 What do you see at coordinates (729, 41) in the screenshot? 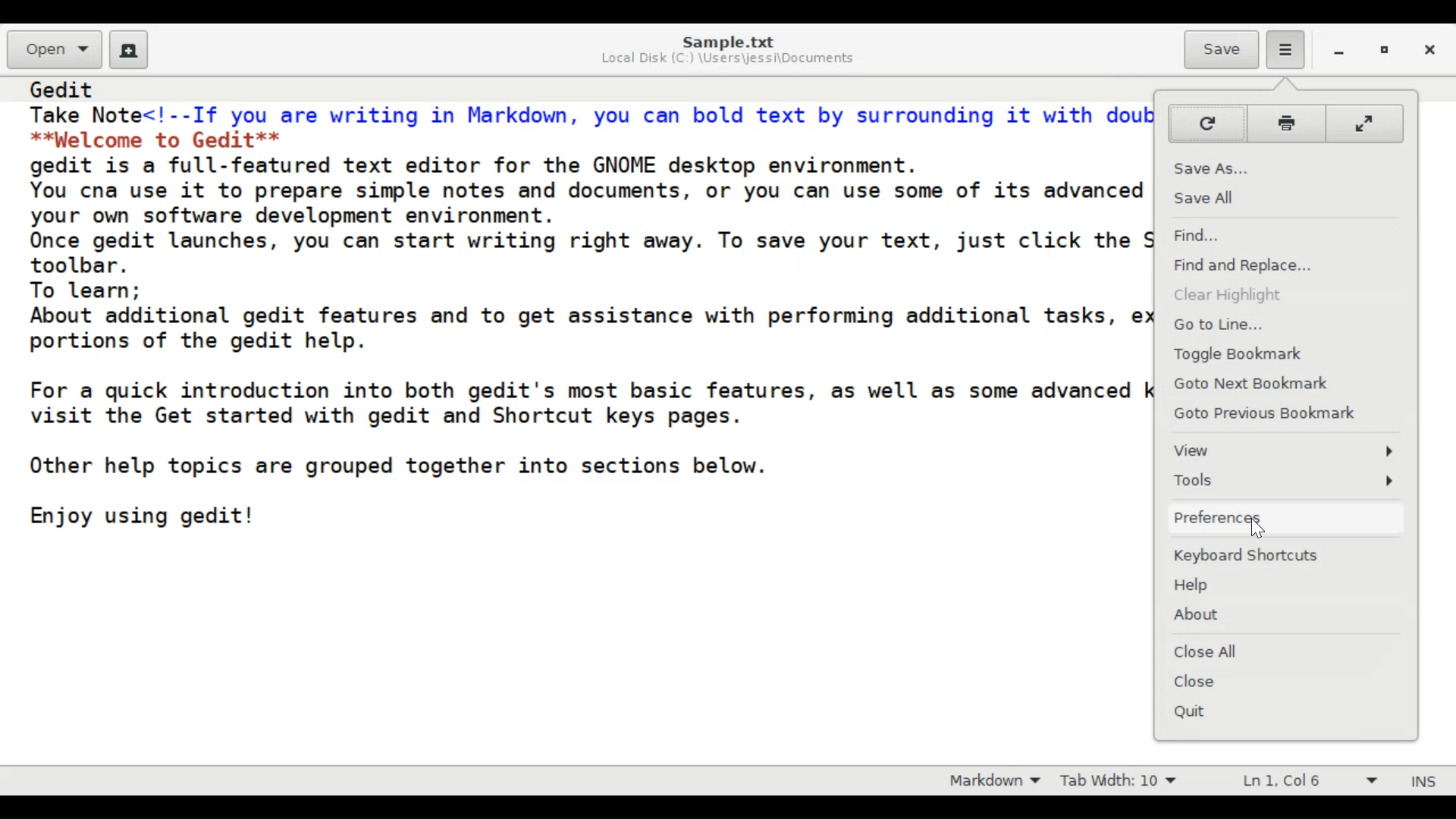
I see `Sample.txt` at bounding box center [729, 41].